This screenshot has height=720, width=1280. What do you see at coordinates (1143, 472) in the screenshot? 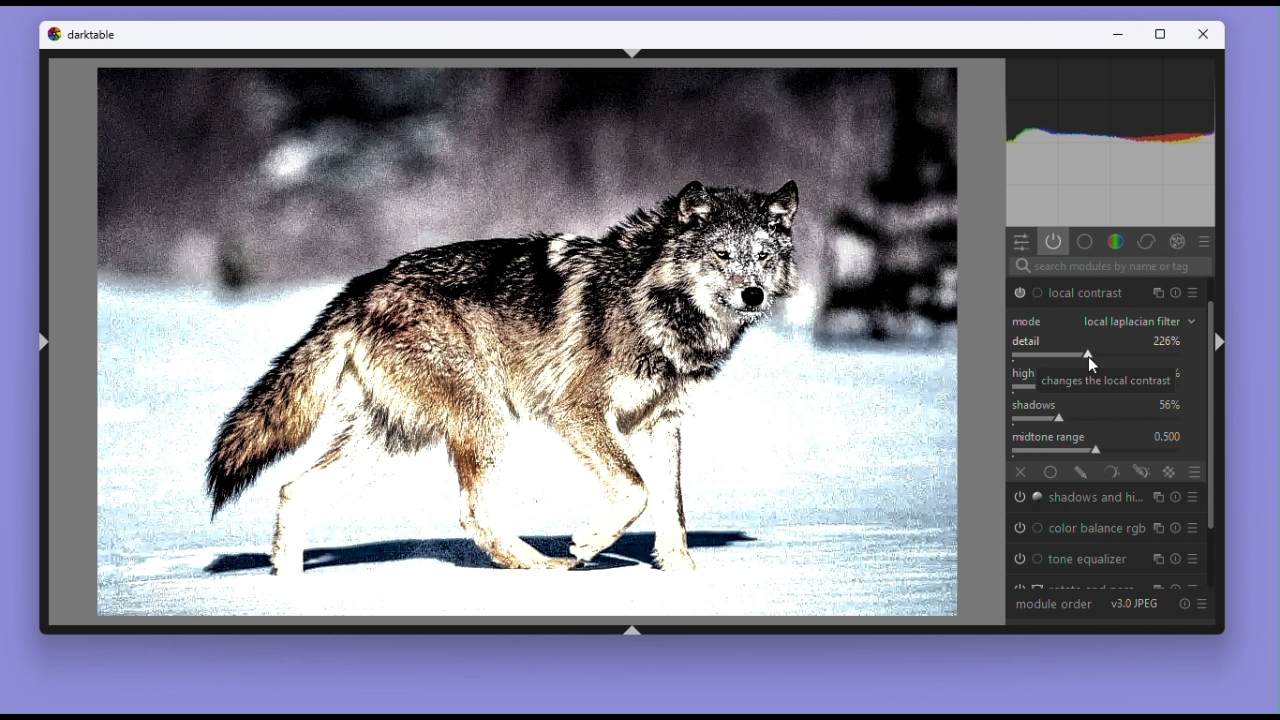
I see `Drawn and parametric mask` at bounding box center [1143, 472].